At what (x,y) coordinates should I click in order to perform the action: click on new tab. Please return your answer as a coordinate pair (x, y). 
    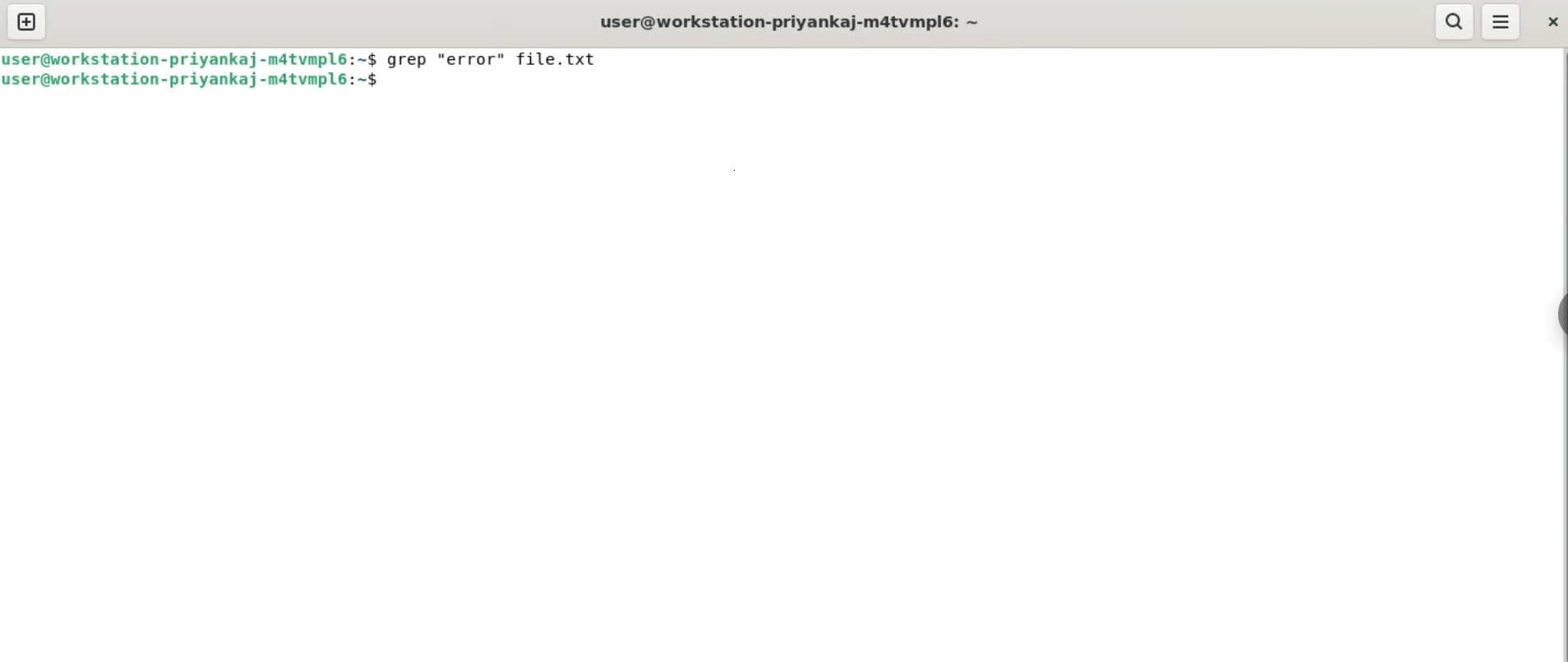
    Looking at the image, I should click on (27, 23).